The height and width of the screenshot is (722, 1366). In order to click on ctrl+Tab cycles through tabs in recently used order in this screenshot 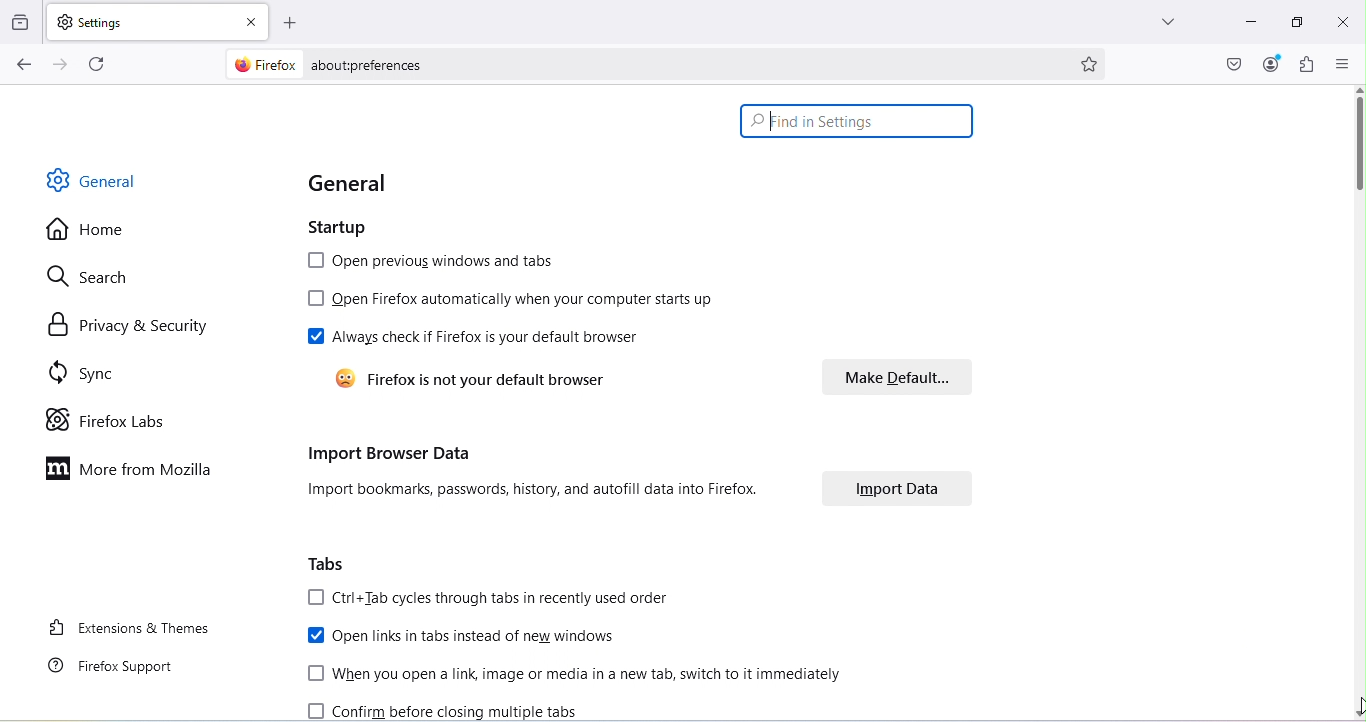, I will do `click(495, 601)`.